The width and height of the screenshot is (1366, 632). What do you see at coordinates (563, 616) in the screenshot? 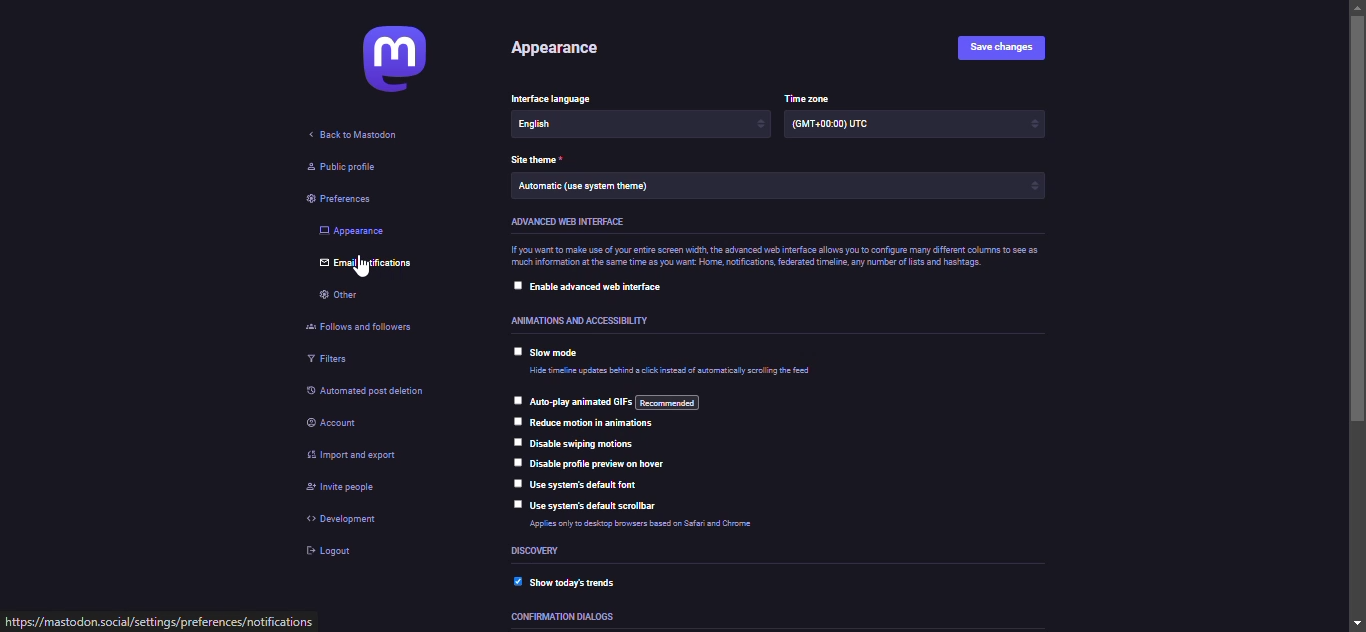
I see `dialoges` at bounding box center [563, 616].